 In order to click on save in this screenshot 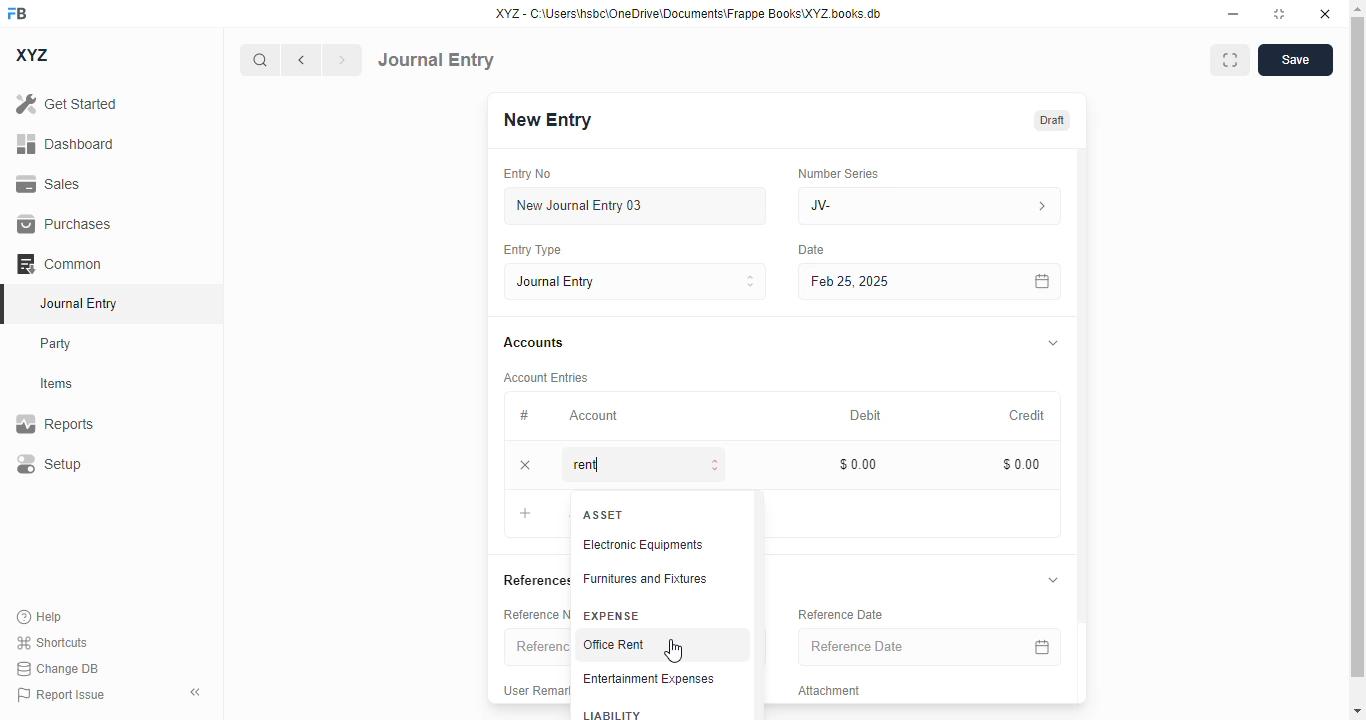, I will do `click(1295, 60)`.